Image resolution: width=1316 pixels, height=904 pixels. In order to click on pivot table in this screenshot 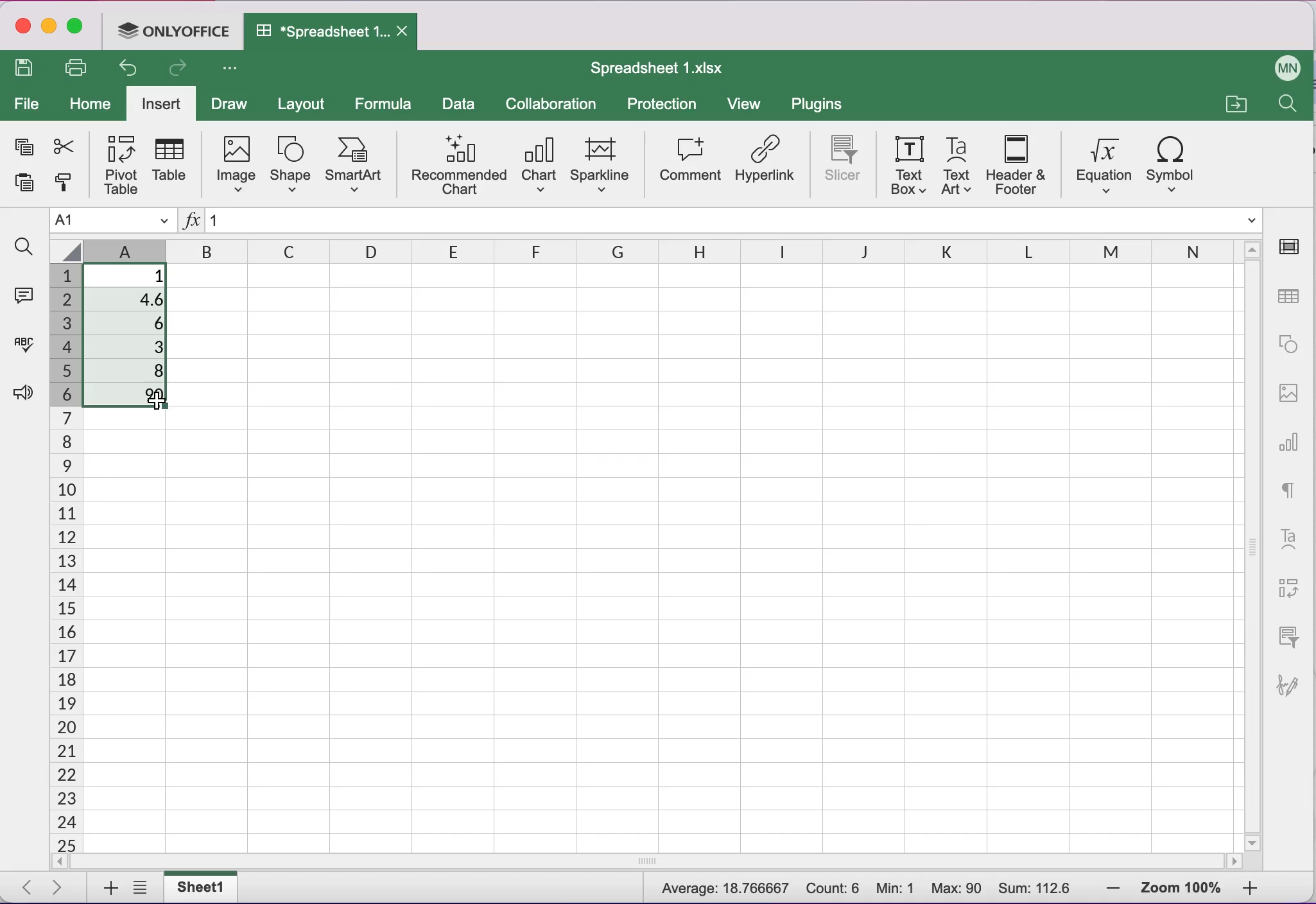, I will do `click(1290, 592)`.